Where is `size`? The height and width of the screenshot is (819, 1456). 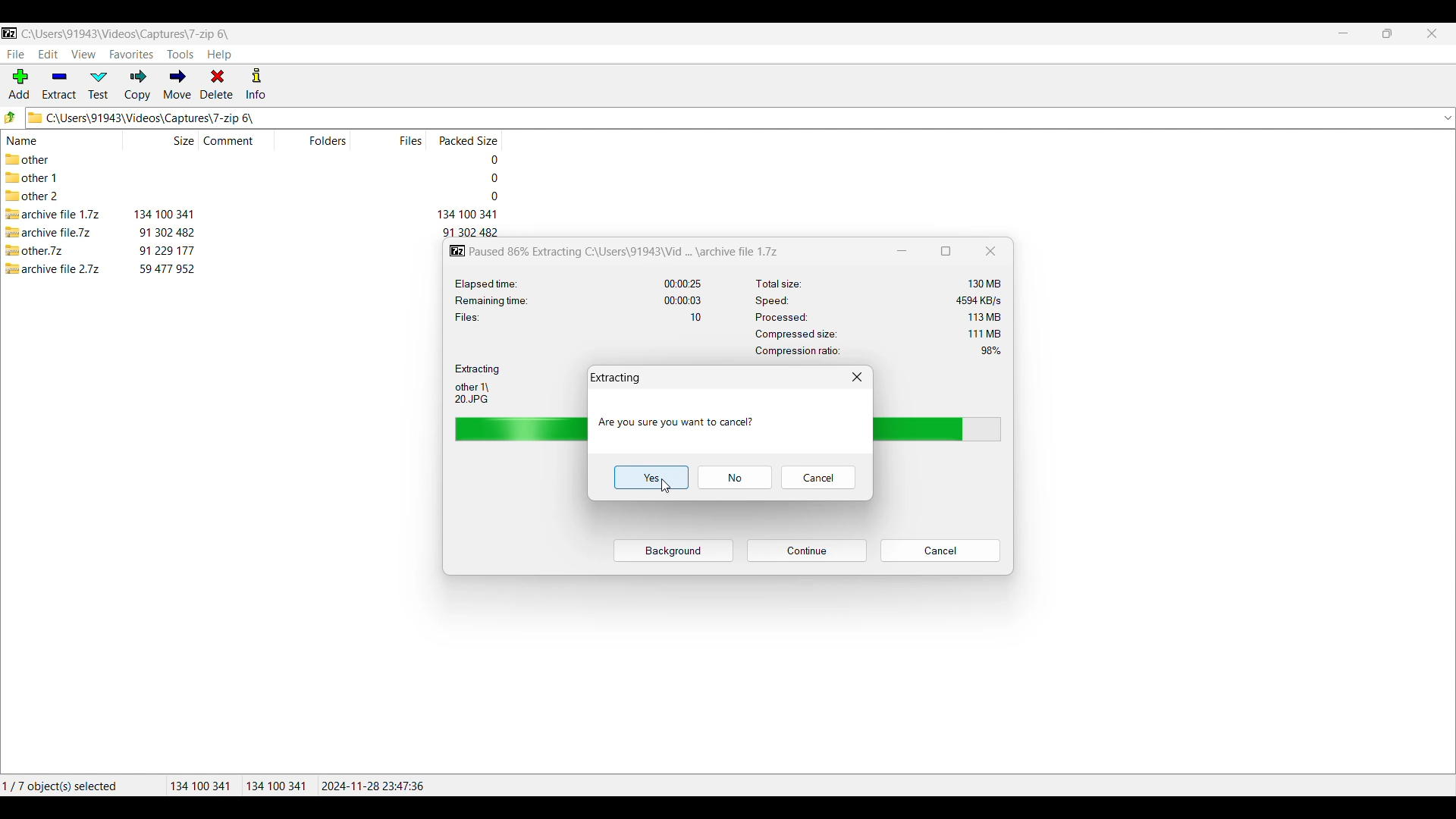
size is located at coordinates (166, 249).